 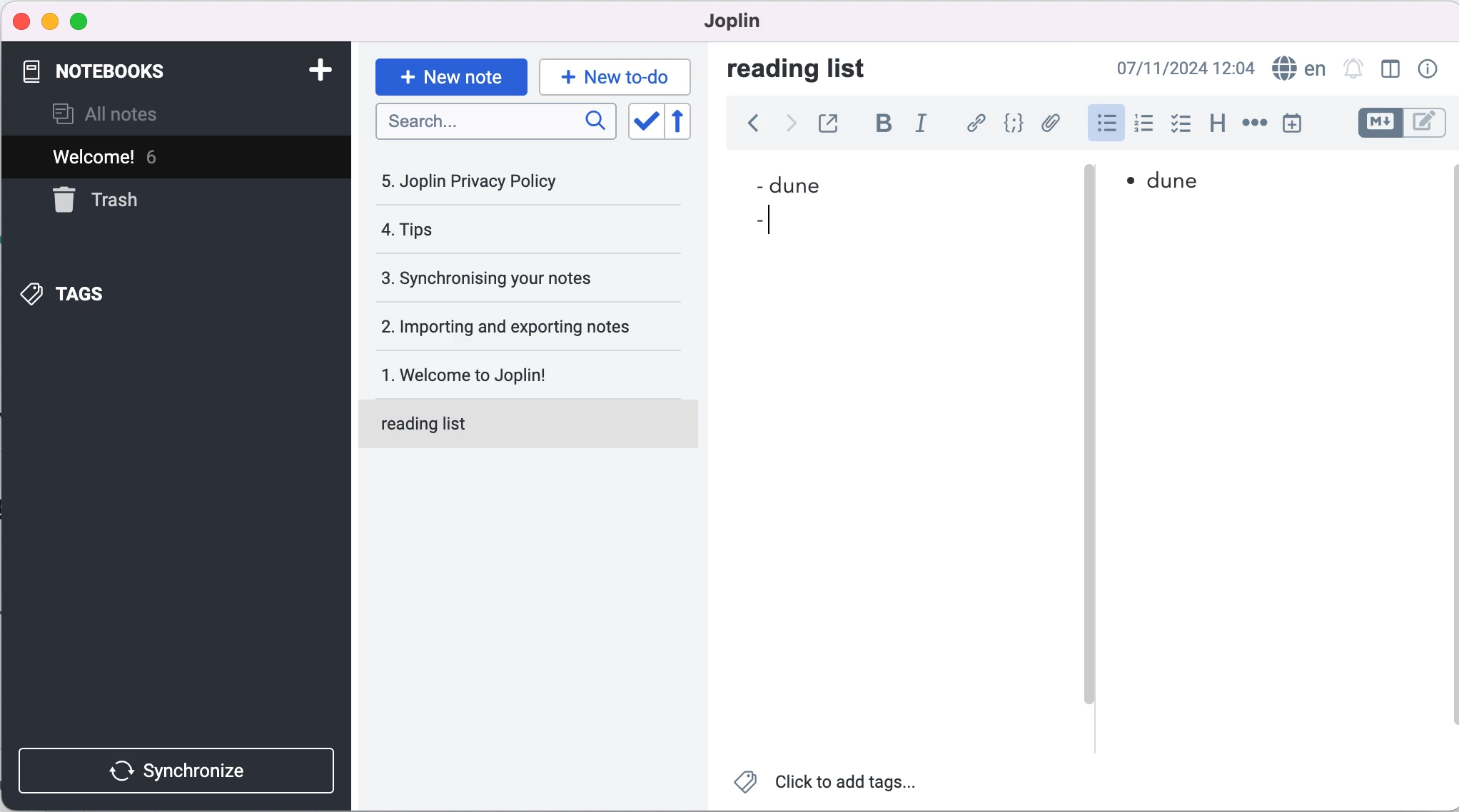 I want to click on blank canvas 2, so click(x=1276, y=482).